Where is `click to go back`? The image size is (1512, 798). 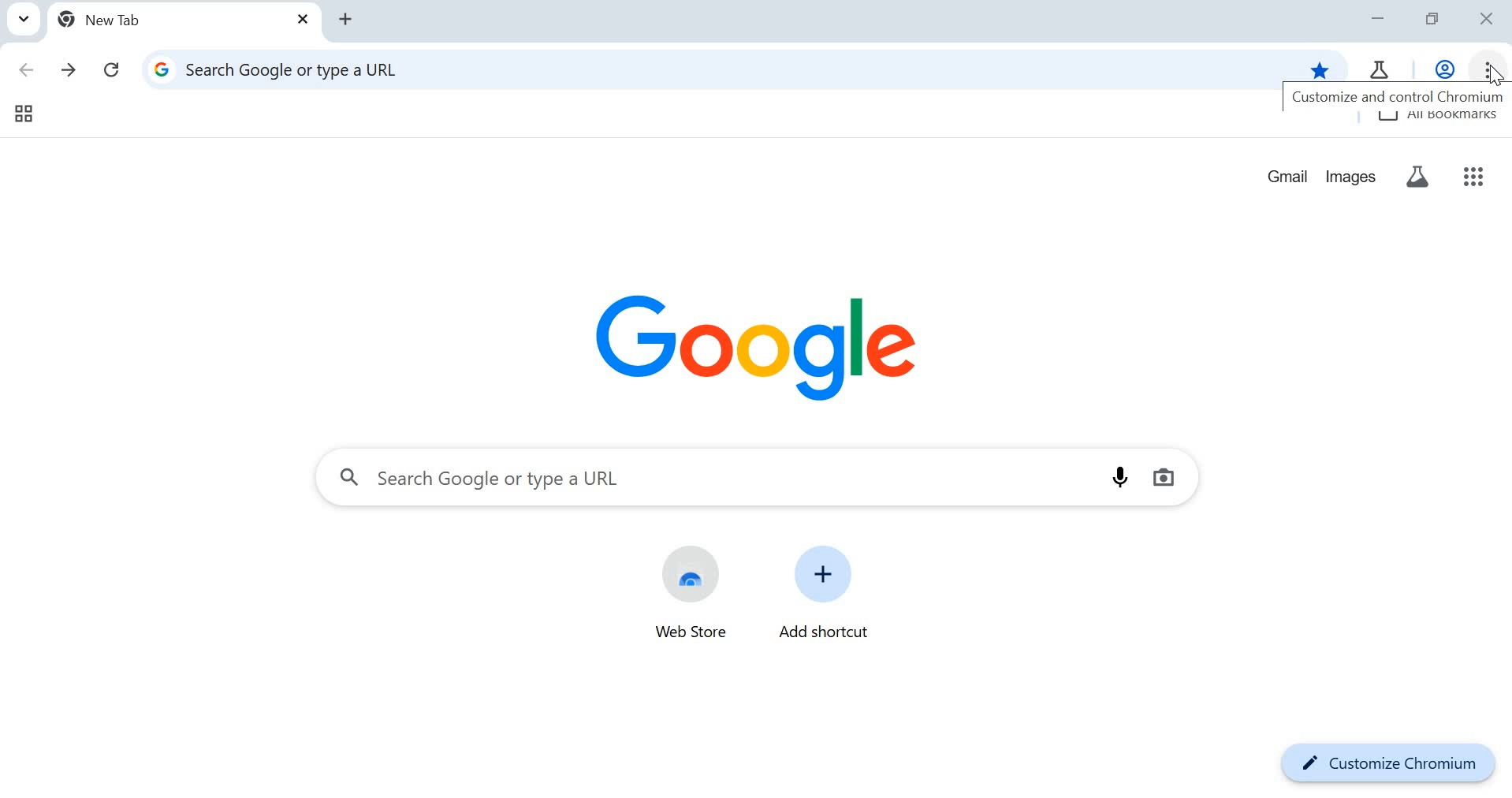
click to go back is located at coordinates (21, 69).